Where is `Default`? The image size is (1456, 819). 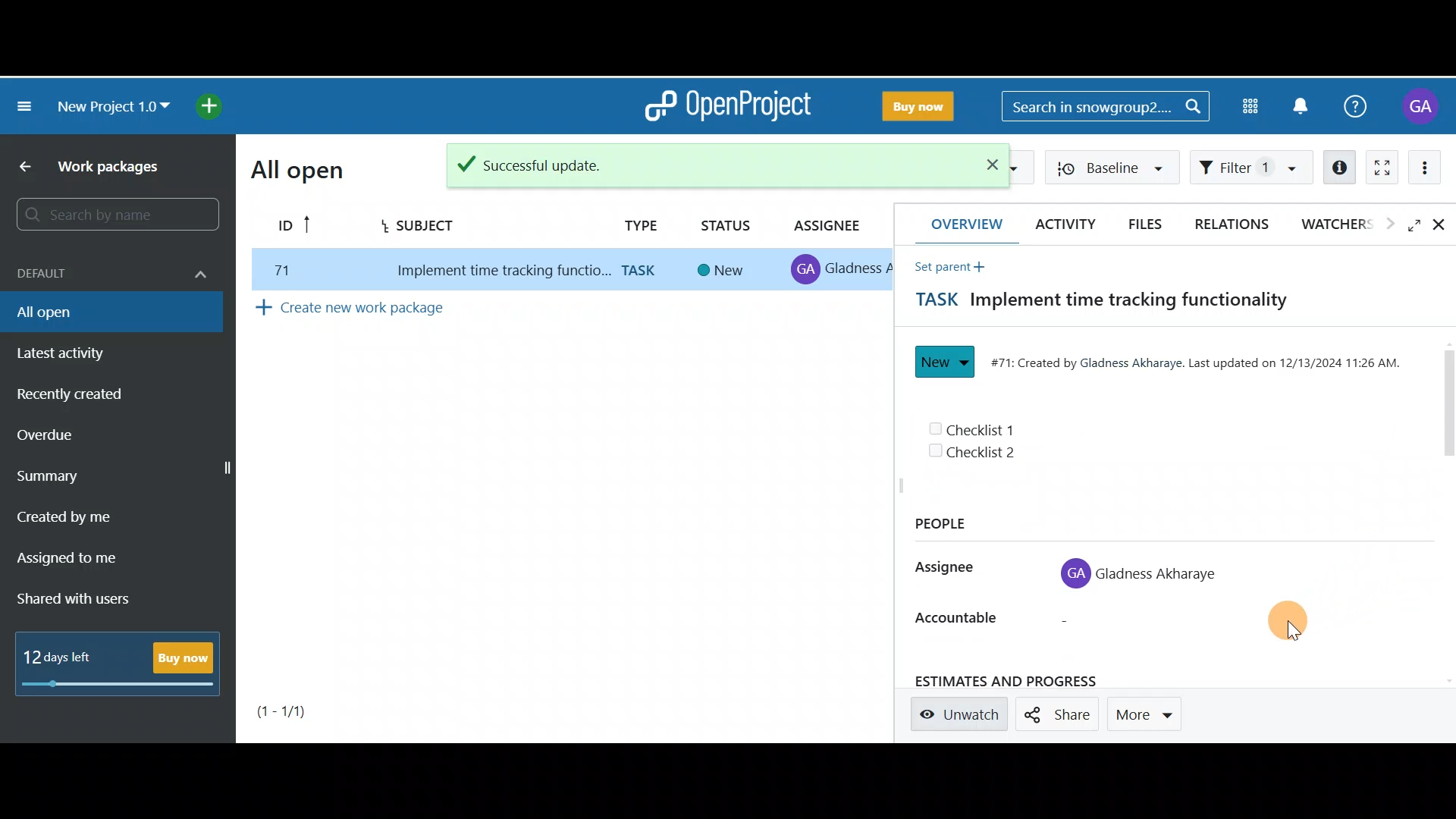 Default is located at coordinates (109, 273).